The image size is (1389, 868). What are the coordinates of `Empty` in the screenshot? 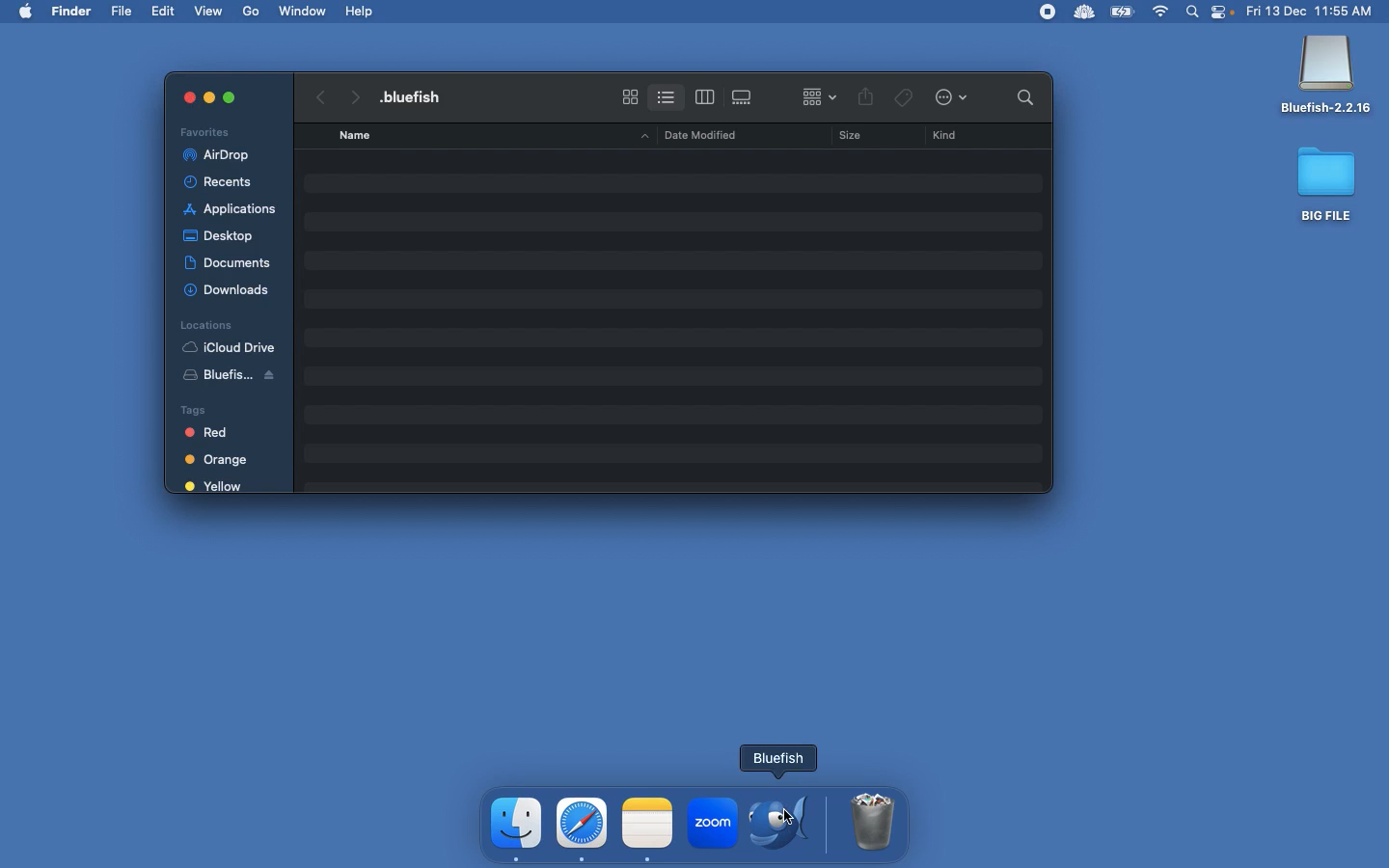 It's located at (680, 313).